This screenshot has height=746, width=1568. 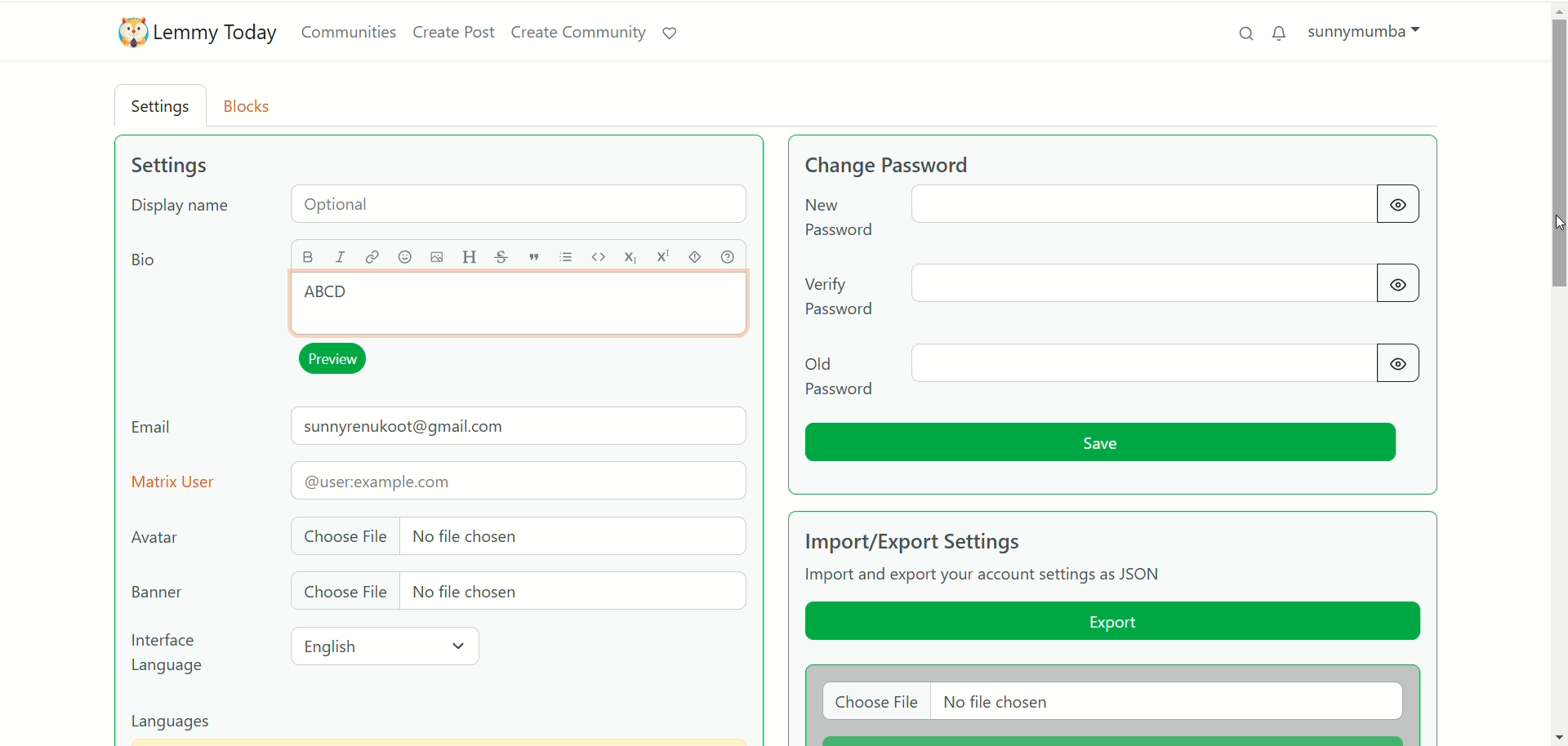 I want to click on subscript, so click(x=631, y=259).